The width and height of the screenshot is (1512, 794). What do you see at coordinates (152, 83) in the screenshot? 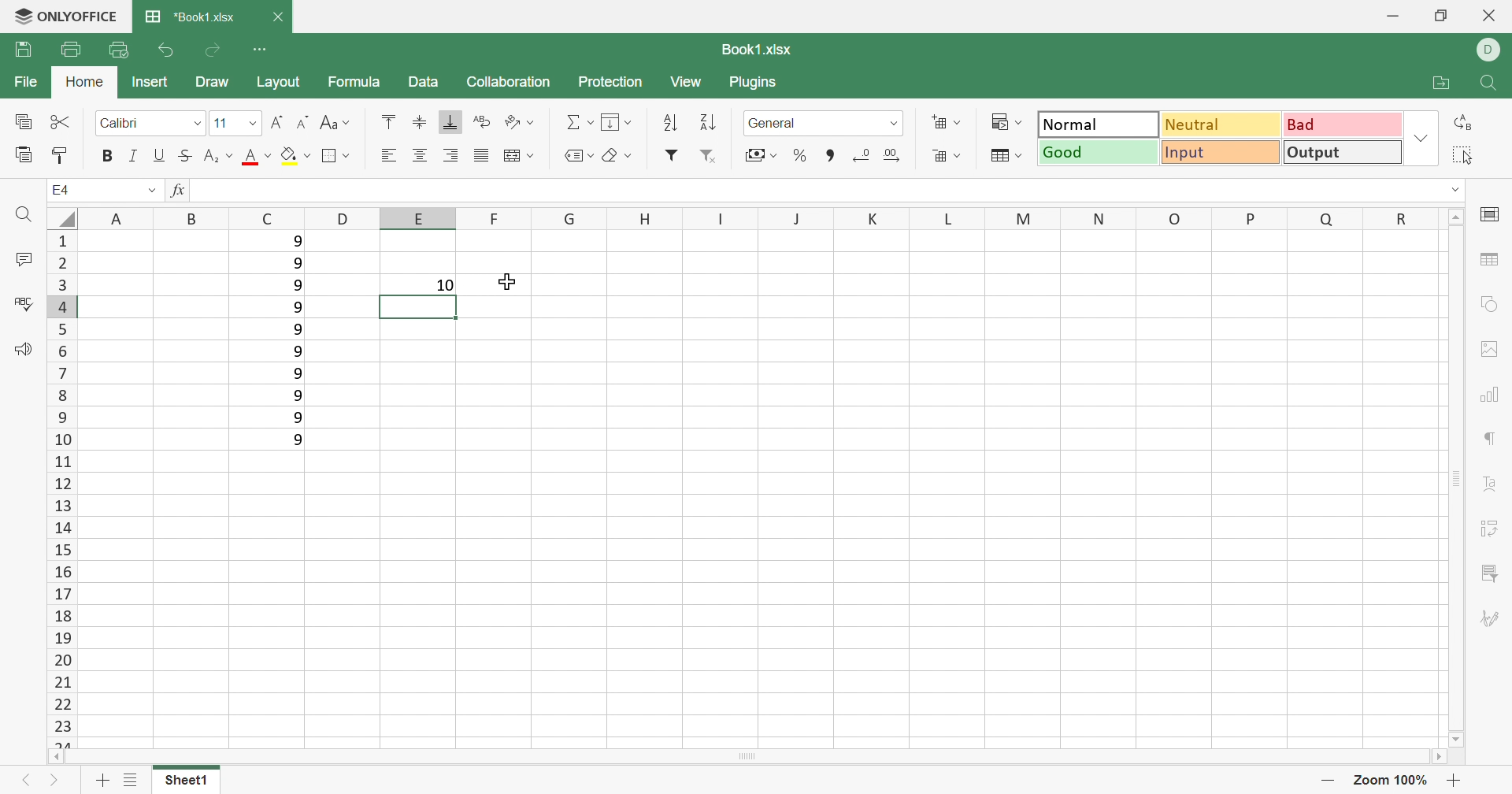
I see `Insert` at bounding box center [152, 83].